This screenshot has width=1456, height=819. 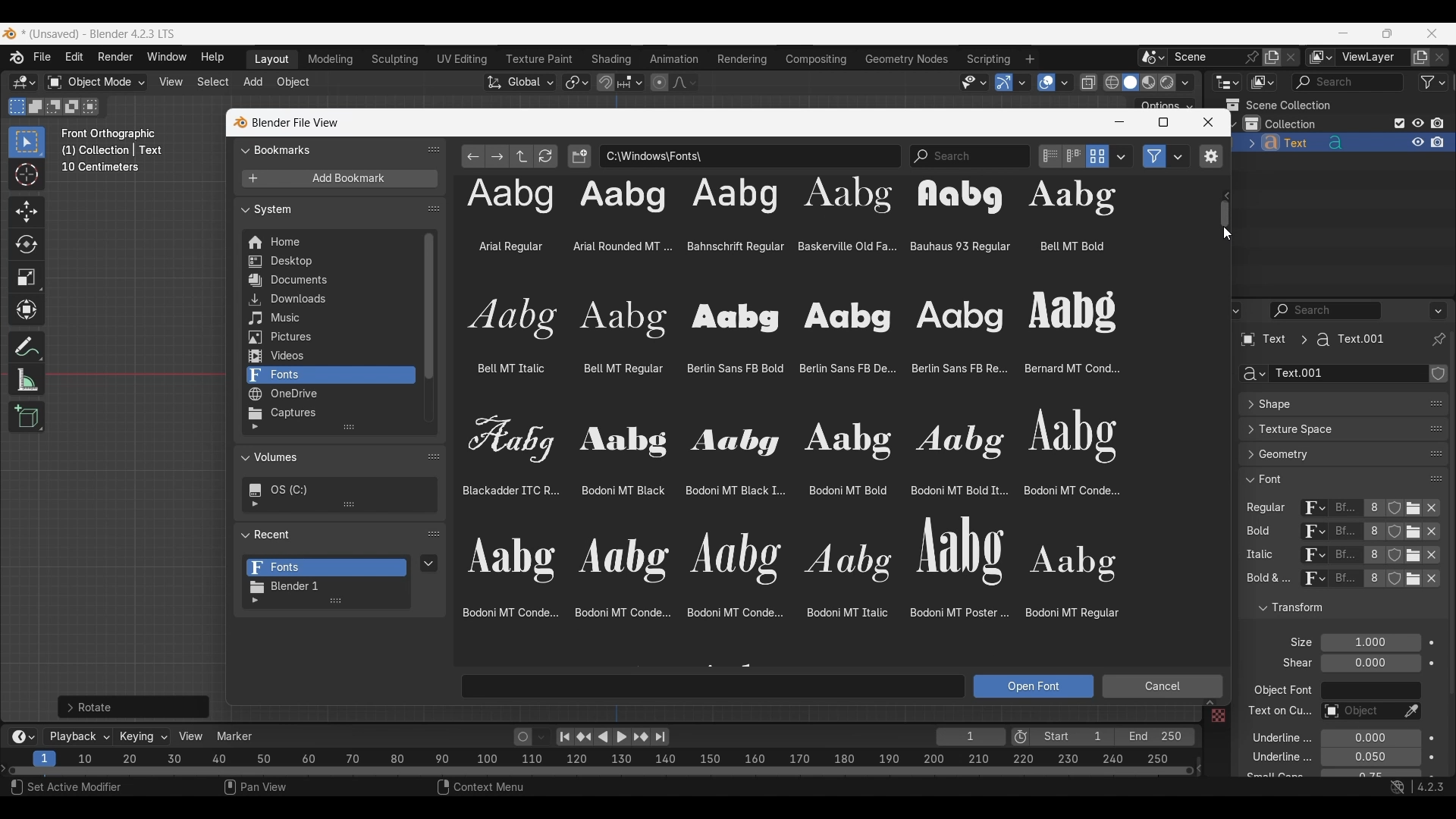 What do you see at coordinates (1417, 518) in the screenshot?
I see `Cursor double clicking on open font for Regular fonts` at bounding box center [1417, 518].